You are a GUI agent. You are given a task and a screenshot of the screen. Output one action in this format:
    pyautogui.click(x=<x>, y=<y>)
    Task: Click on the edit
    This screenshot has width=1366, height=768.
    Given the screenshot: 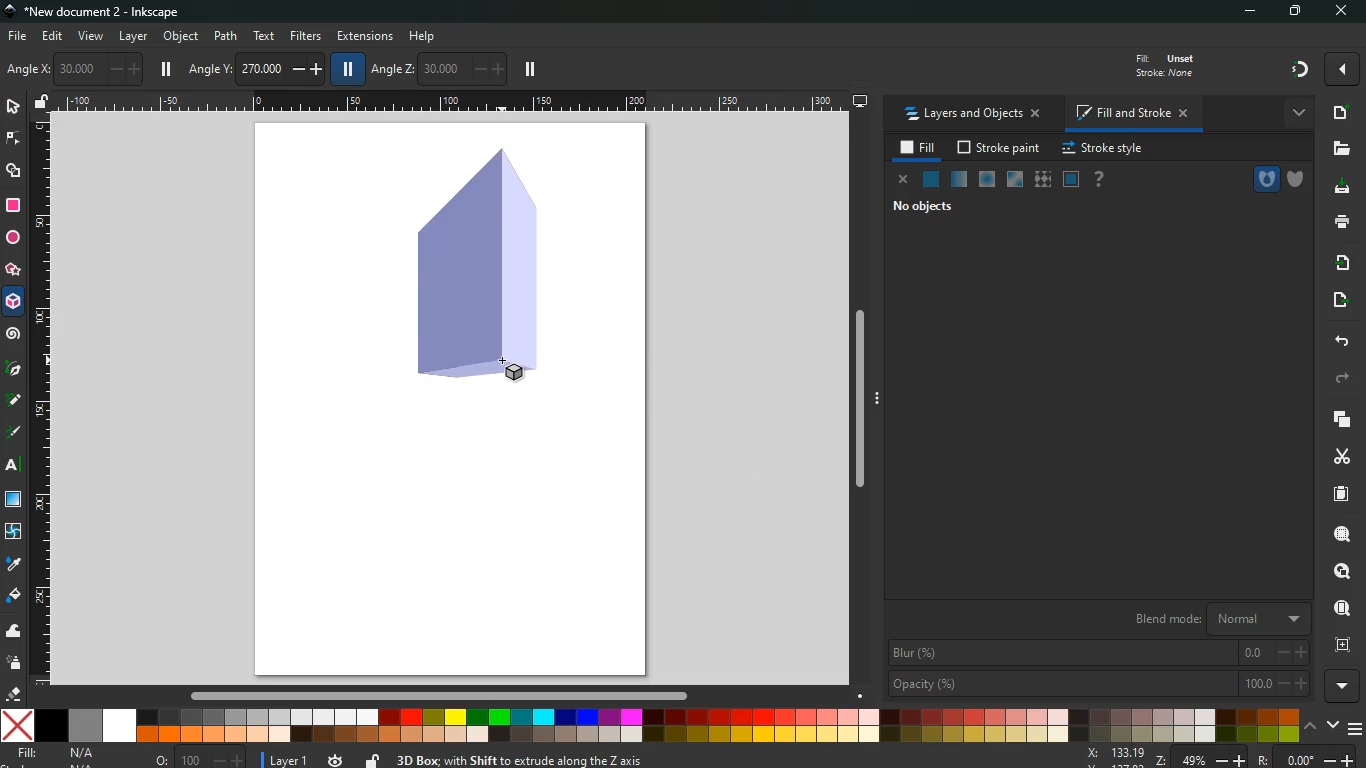 What is the action you would take?
    pyautogui.click(x=54, y=36)
    